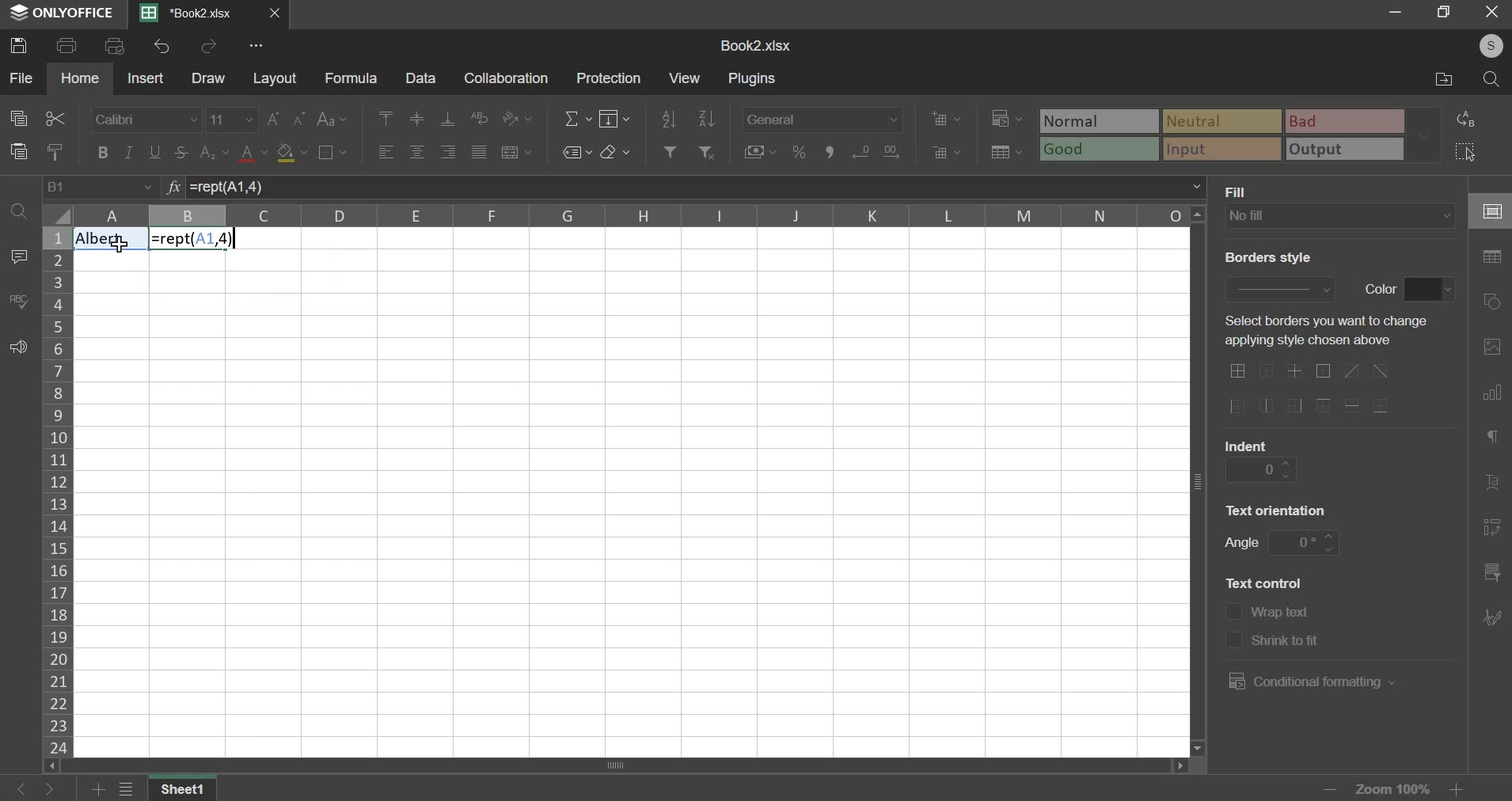 This screenshot has height=801, width=1512. What do you see at coordinates (116, 44) in the screenshot?
I see `print preview` at bounding box center [116, 44].